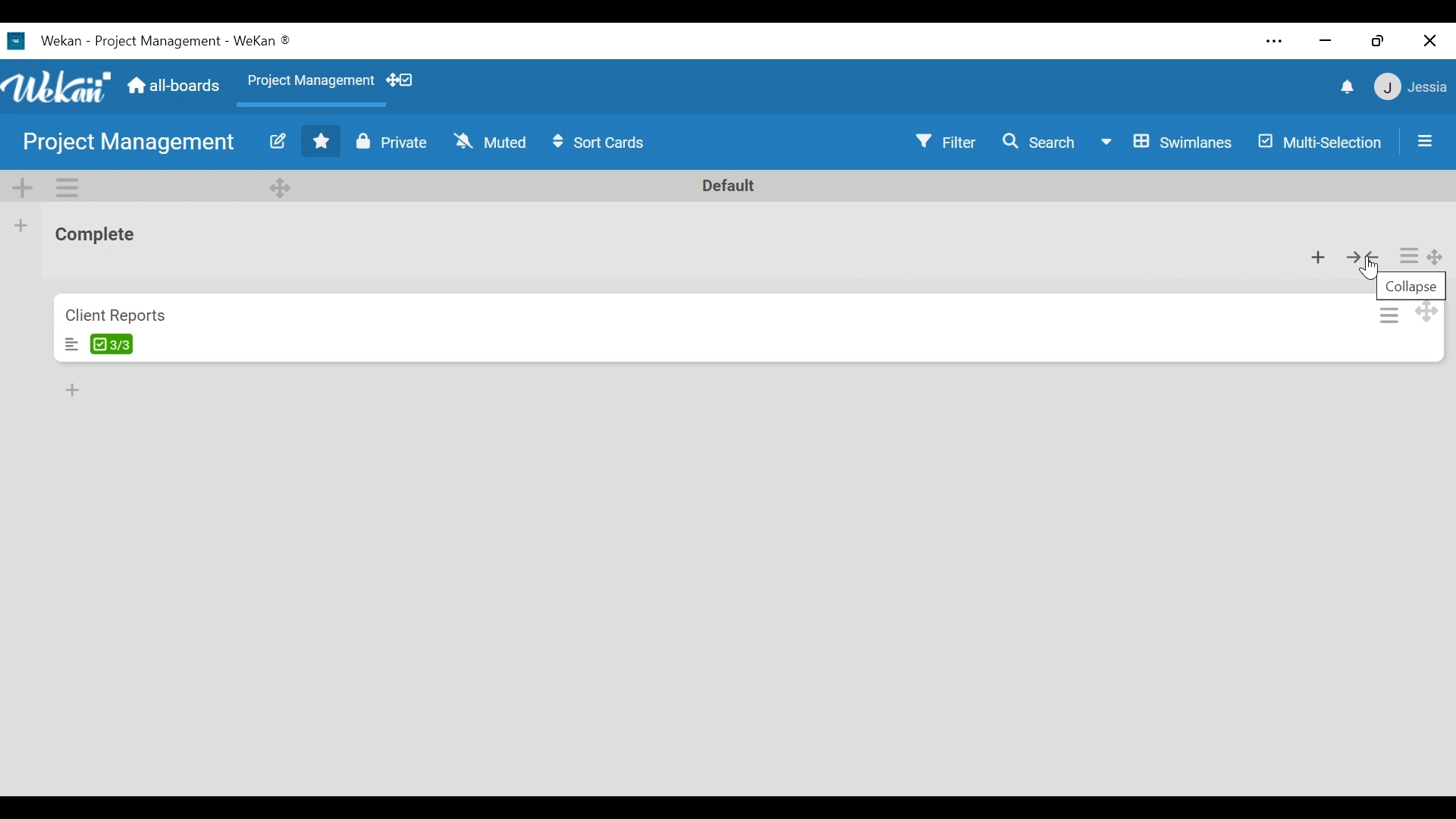 The image size is (1456, 819). What do you see at coordinates (1367, 270) in the screenshot?
I see `Cursor` at bounding box center [1367, 270].